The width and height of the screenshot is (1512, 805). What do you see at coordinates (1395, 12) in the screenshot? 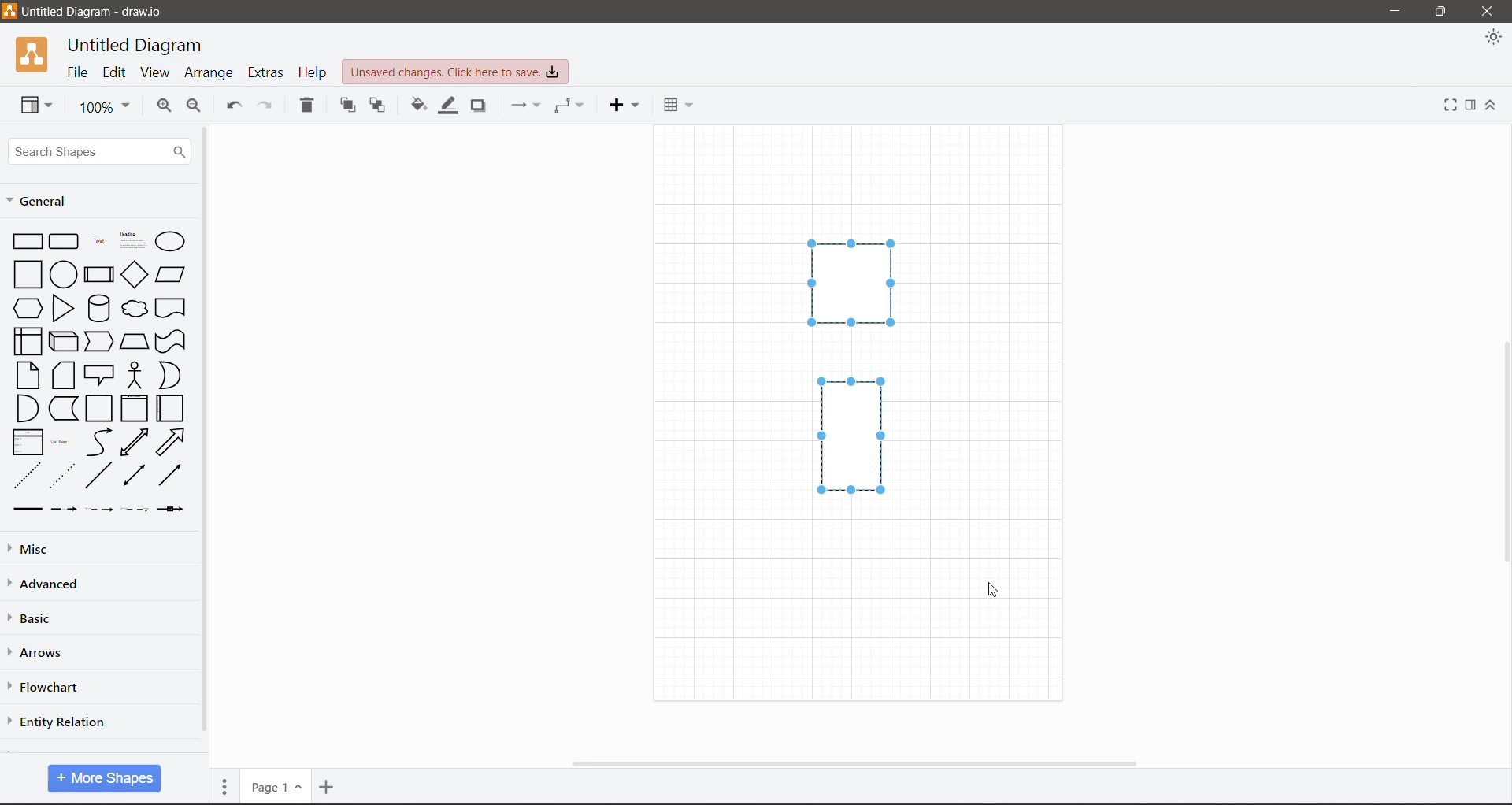
I see `Minimize` at bounding box center [1395, 12].